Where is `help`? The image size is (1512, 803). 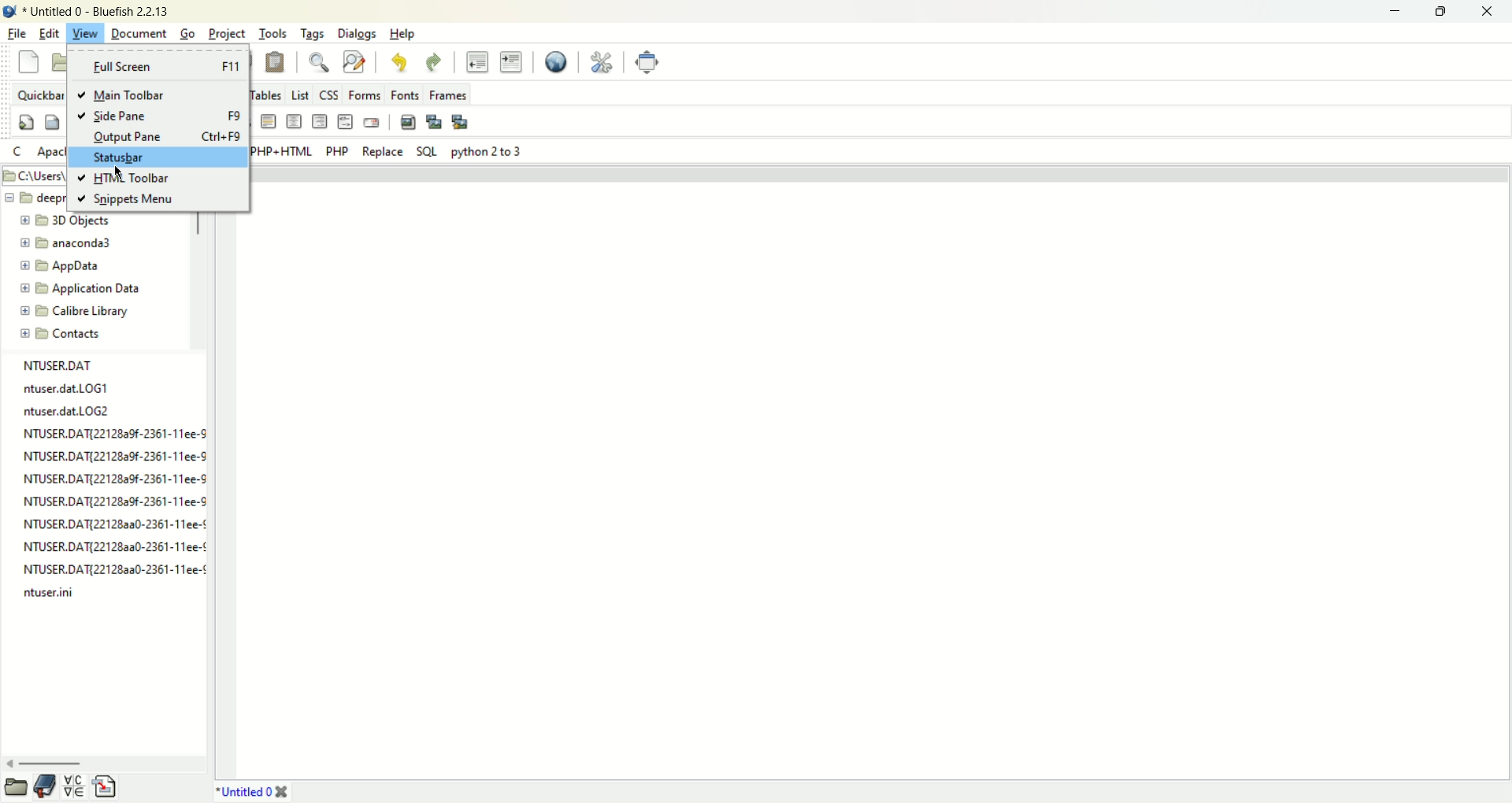
help is located at coordinates (401, 33).